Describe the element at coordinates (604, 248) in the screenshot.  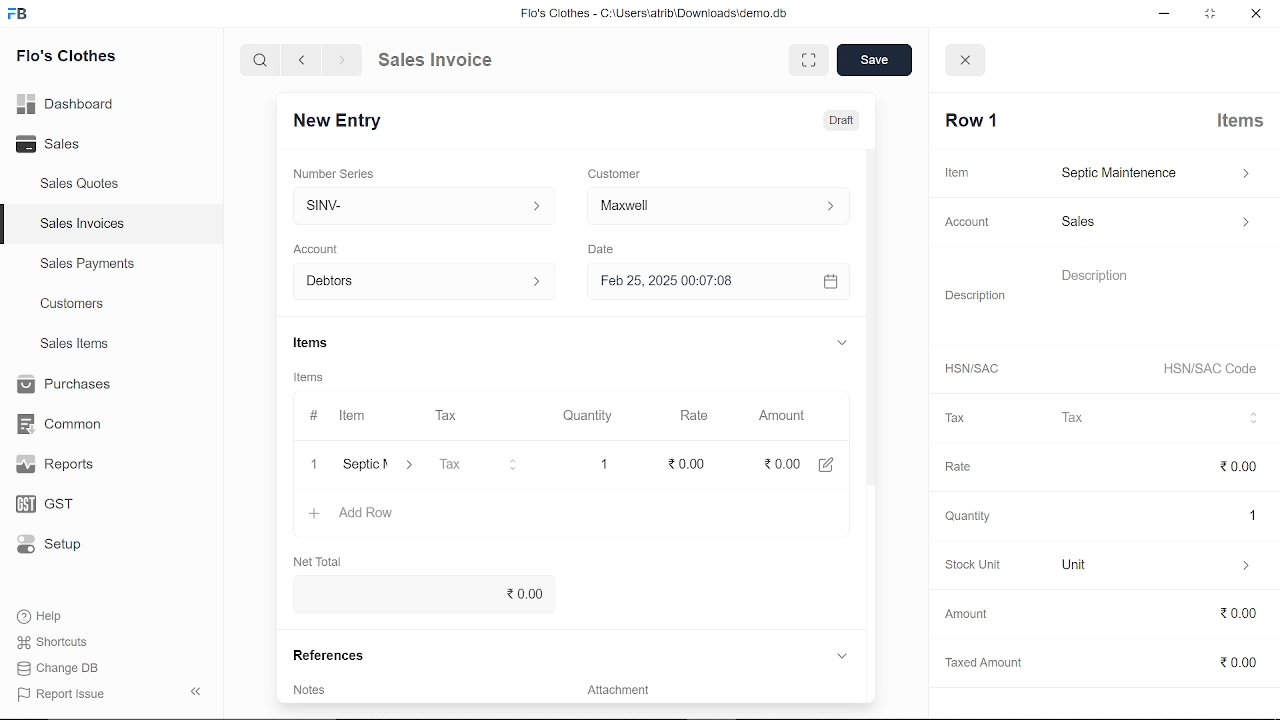
I see `Date` at that location.